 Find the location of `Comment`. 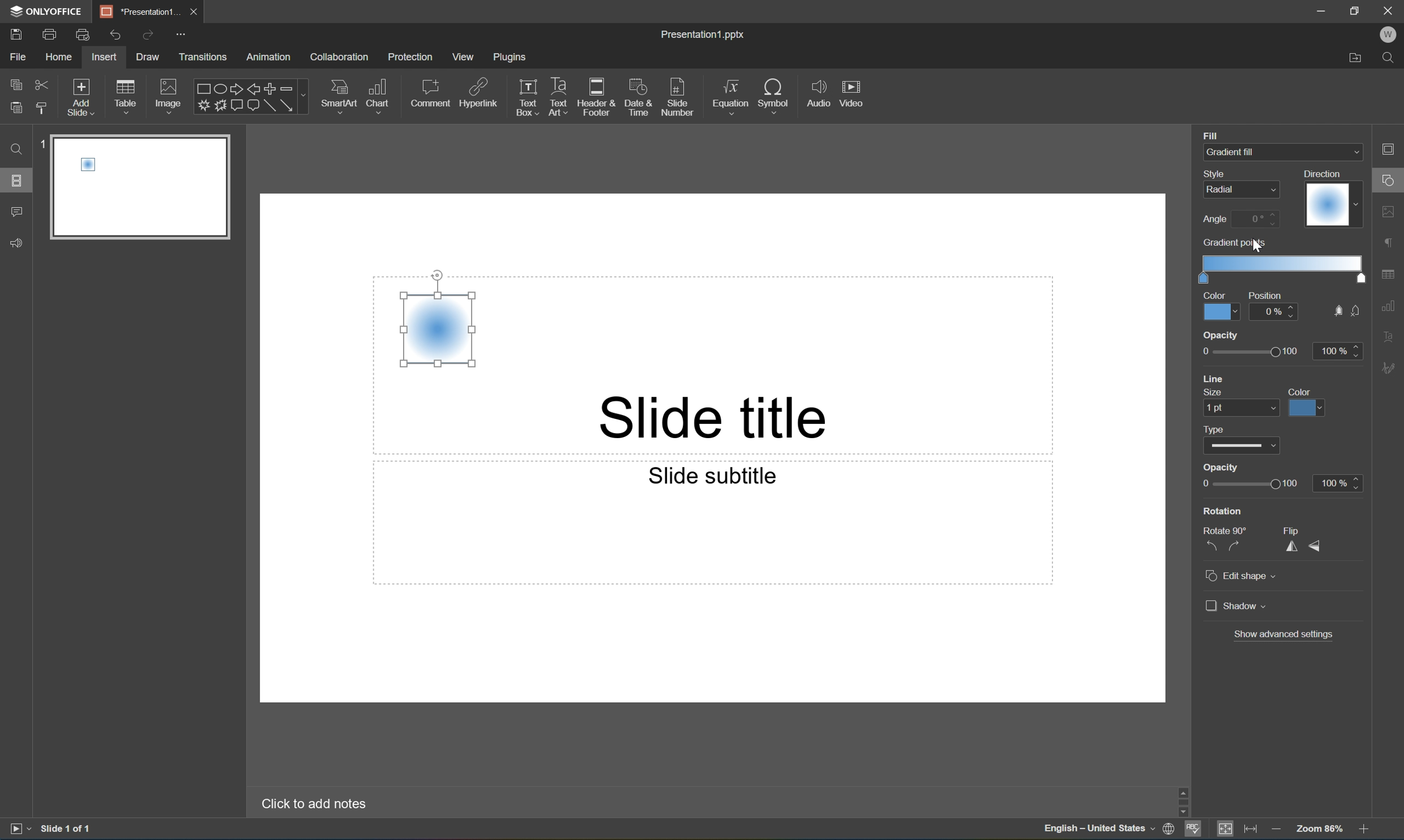

Comment is located at coordinates (432, 93).